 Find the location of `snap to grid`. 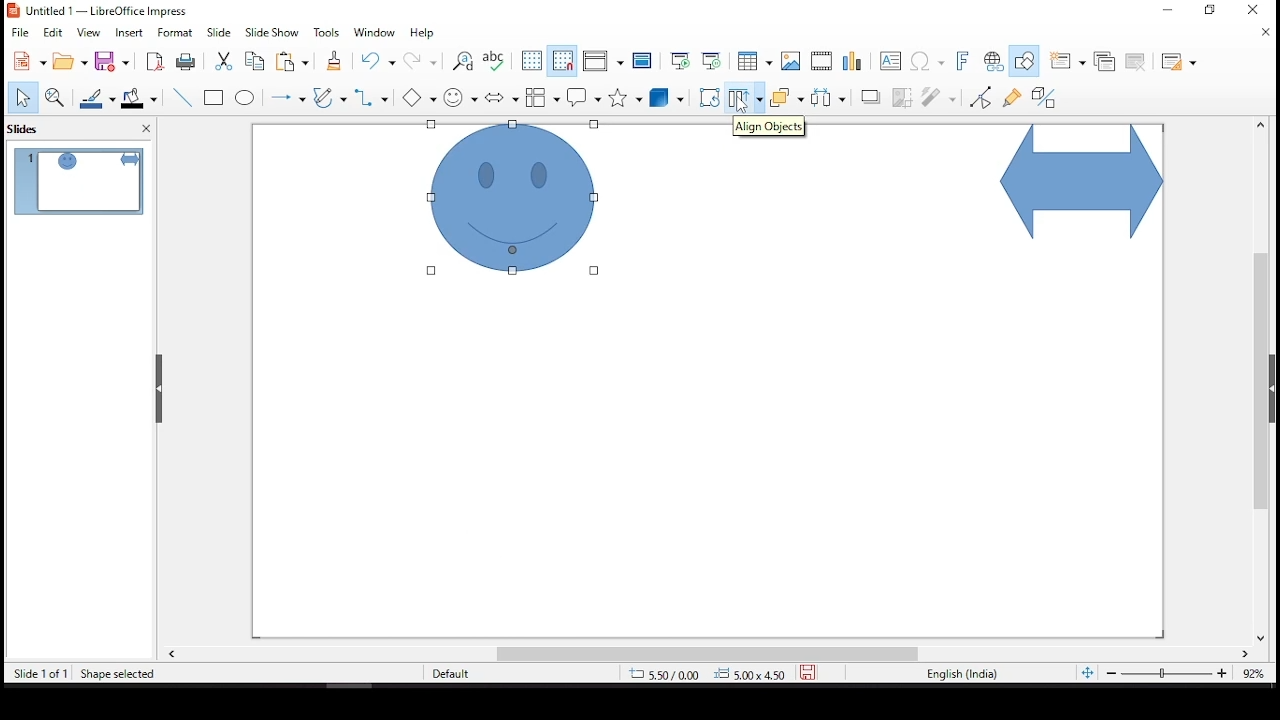

snap to grid is located at coordinates (563, 61).